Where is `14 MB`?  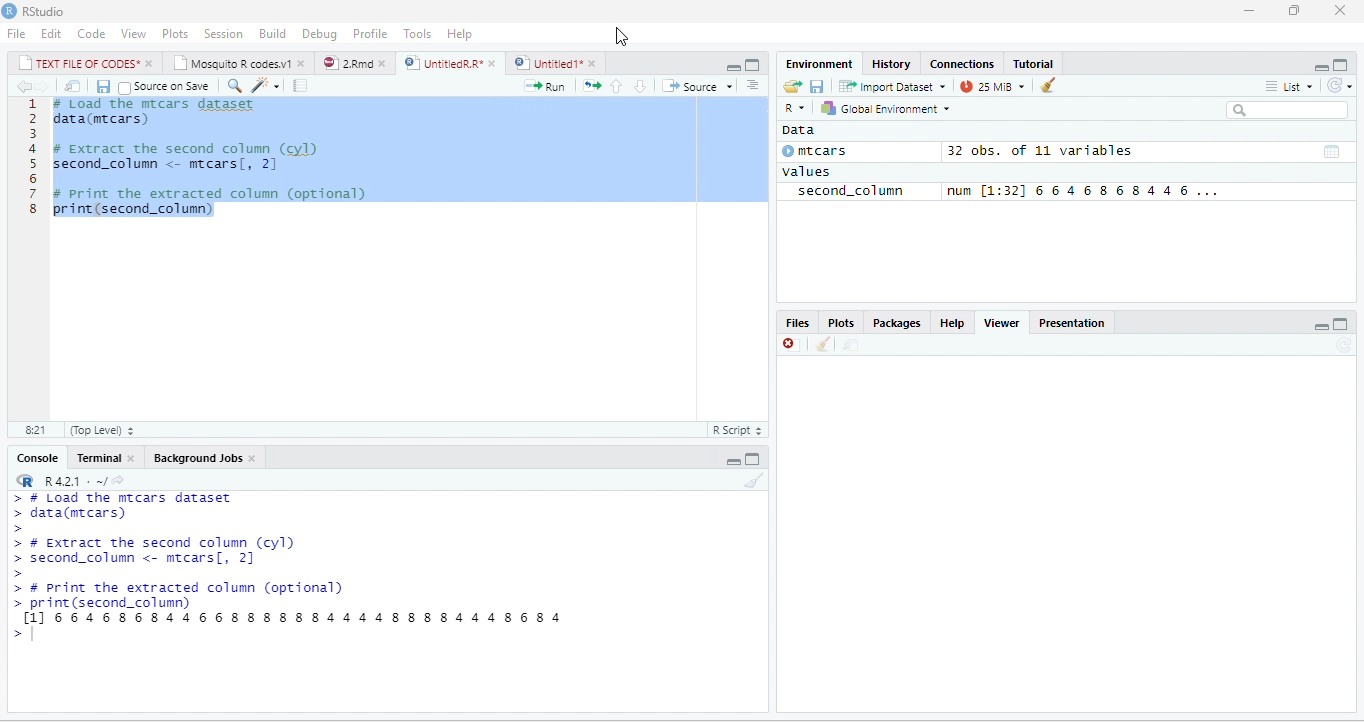 14 MB is located at coordinates (993, 86).